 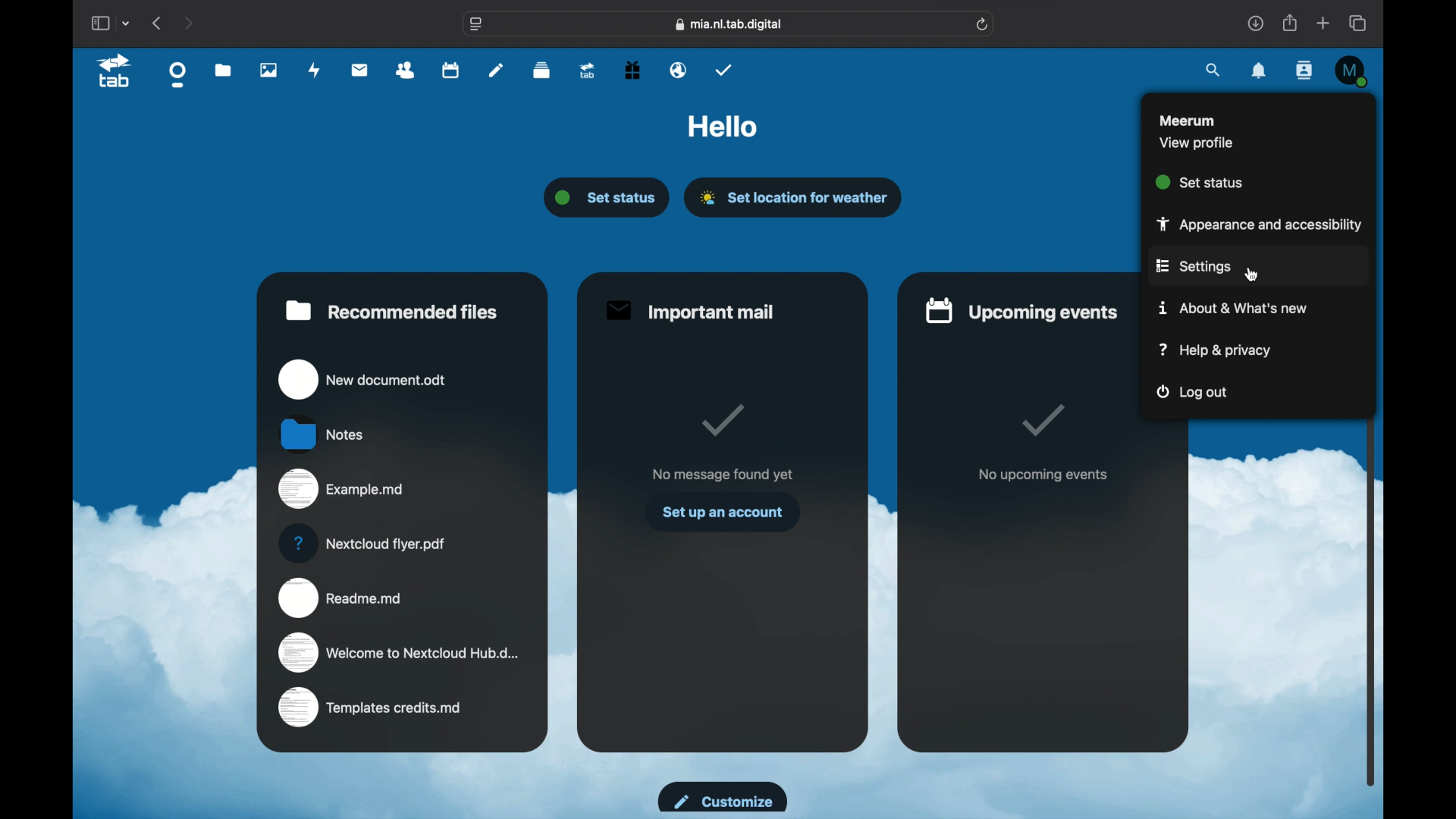 What do you see at coordinates (1019, 309) in the screenshot?
I see `upcoming events` at bounding box center [1019, 309].